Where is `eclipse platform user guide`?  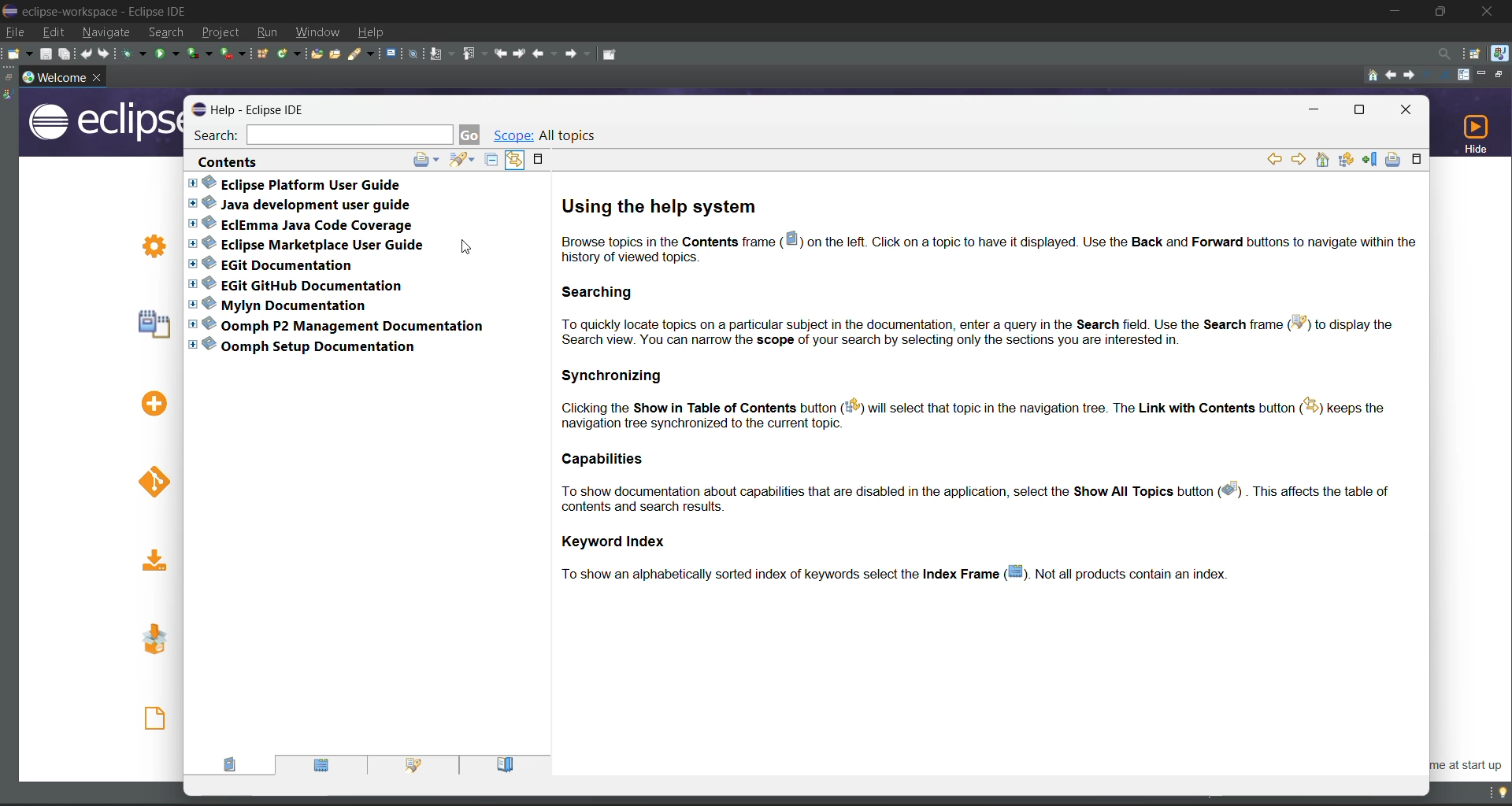 eclipse platform user guide is located at coordinates (298, 183).